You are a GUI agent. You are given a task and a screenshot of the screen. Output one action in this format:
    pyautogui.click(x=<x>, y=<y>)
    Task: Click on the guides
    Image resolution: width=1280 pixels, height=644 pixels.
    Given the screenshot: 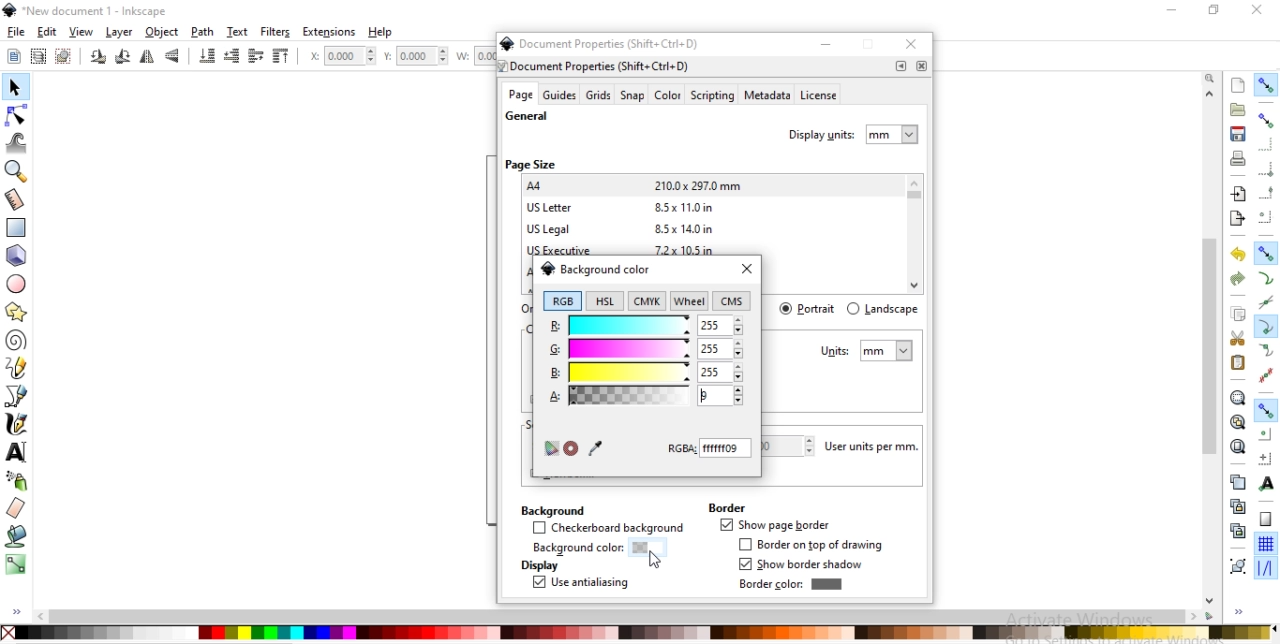 What is the action you would take?
    pyautogui.click(x=560, y=95)
    